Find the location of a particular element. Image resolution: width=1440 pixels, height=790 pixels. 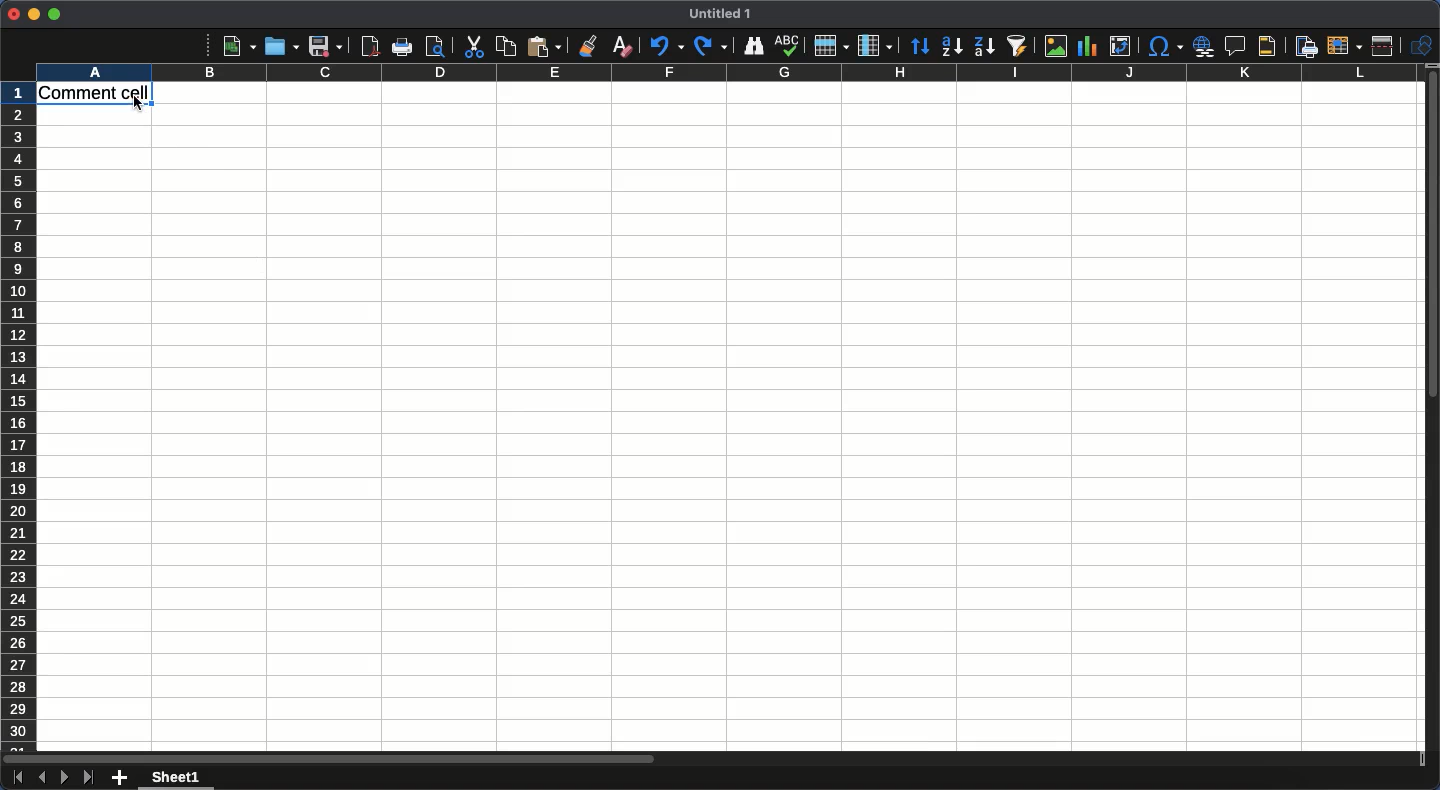

Insert edit or pivot table is located at coordinates (1120, 45).